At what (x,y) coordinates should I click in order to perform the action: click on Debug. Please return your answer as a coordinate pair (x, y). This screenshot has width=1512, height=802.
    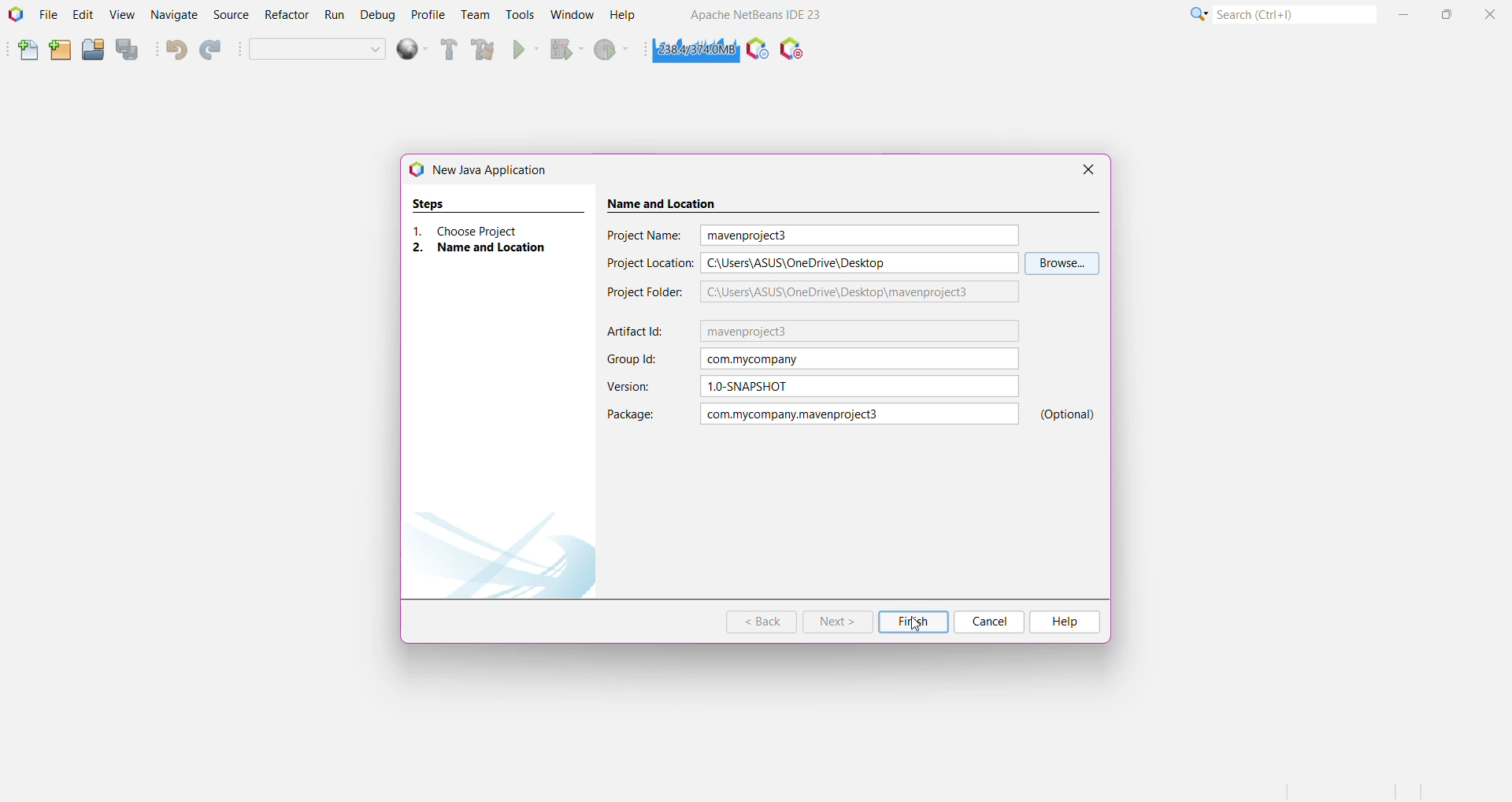
    Looking at the image, I should click on (377, 16).